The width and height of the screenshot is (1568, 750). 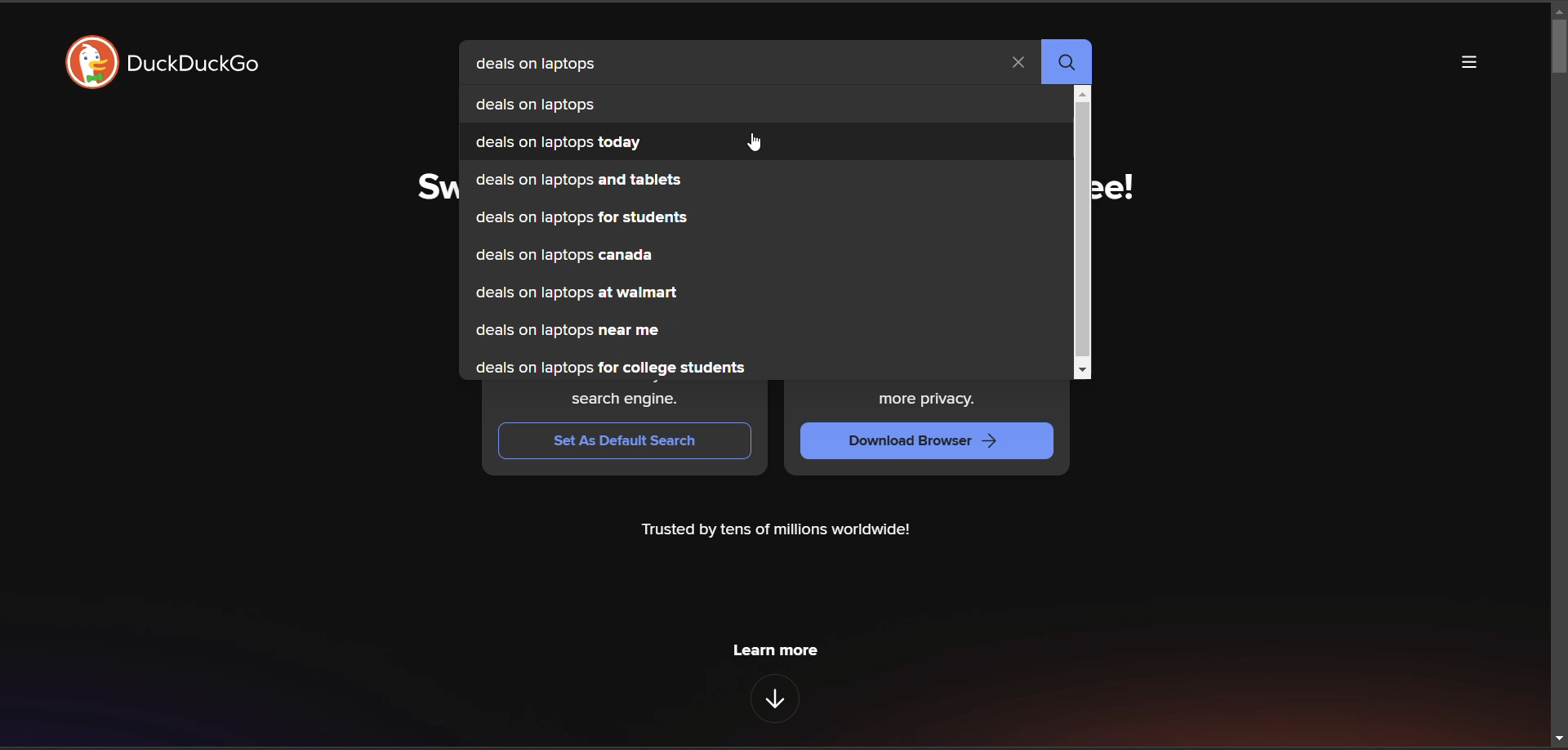 What do you see at coordinates (545, 65) in the screenshot?
I see `search term` at bounding box center [545, 65].